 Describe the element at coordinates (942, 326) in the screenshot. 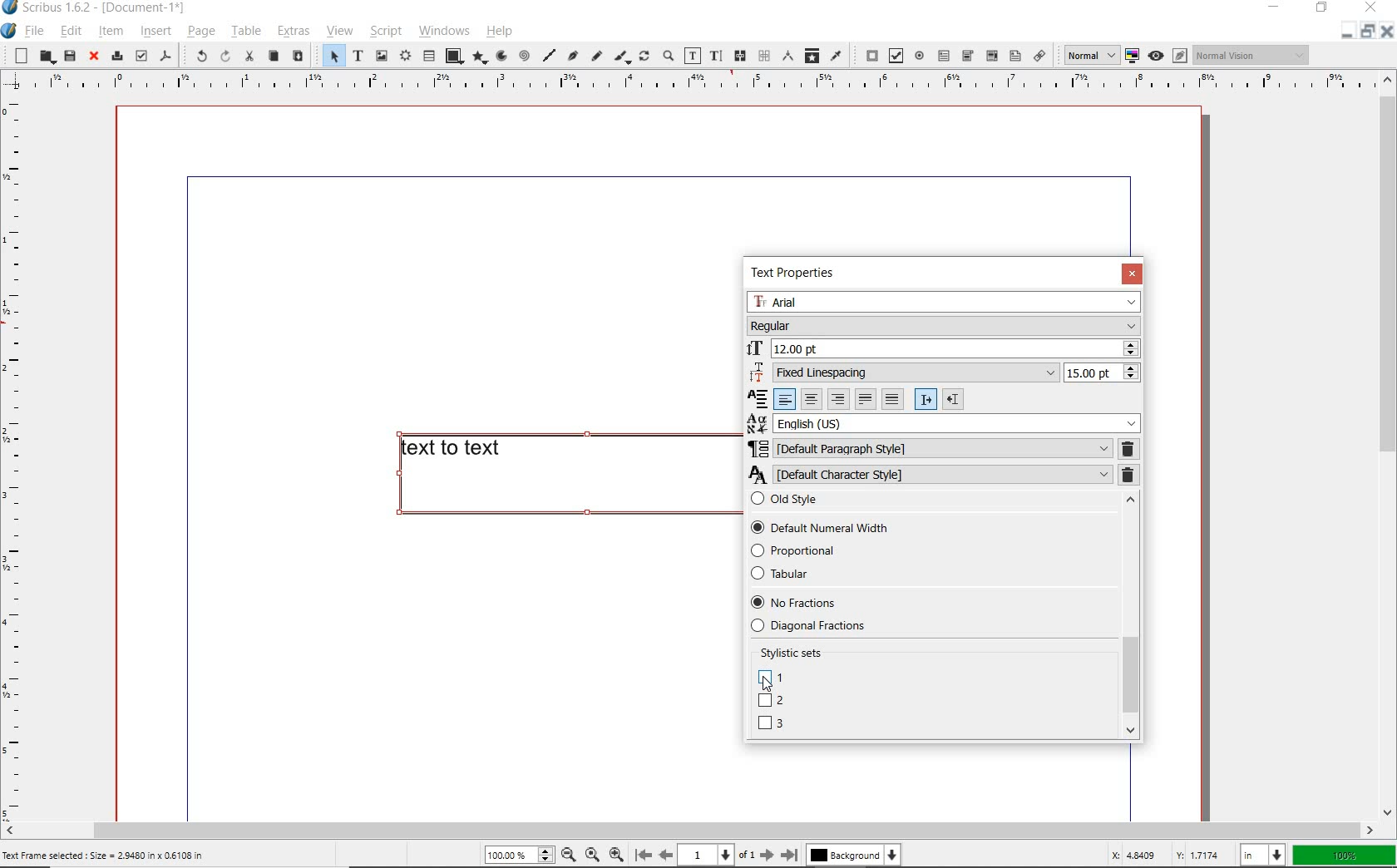

I see `Regular` at that location.